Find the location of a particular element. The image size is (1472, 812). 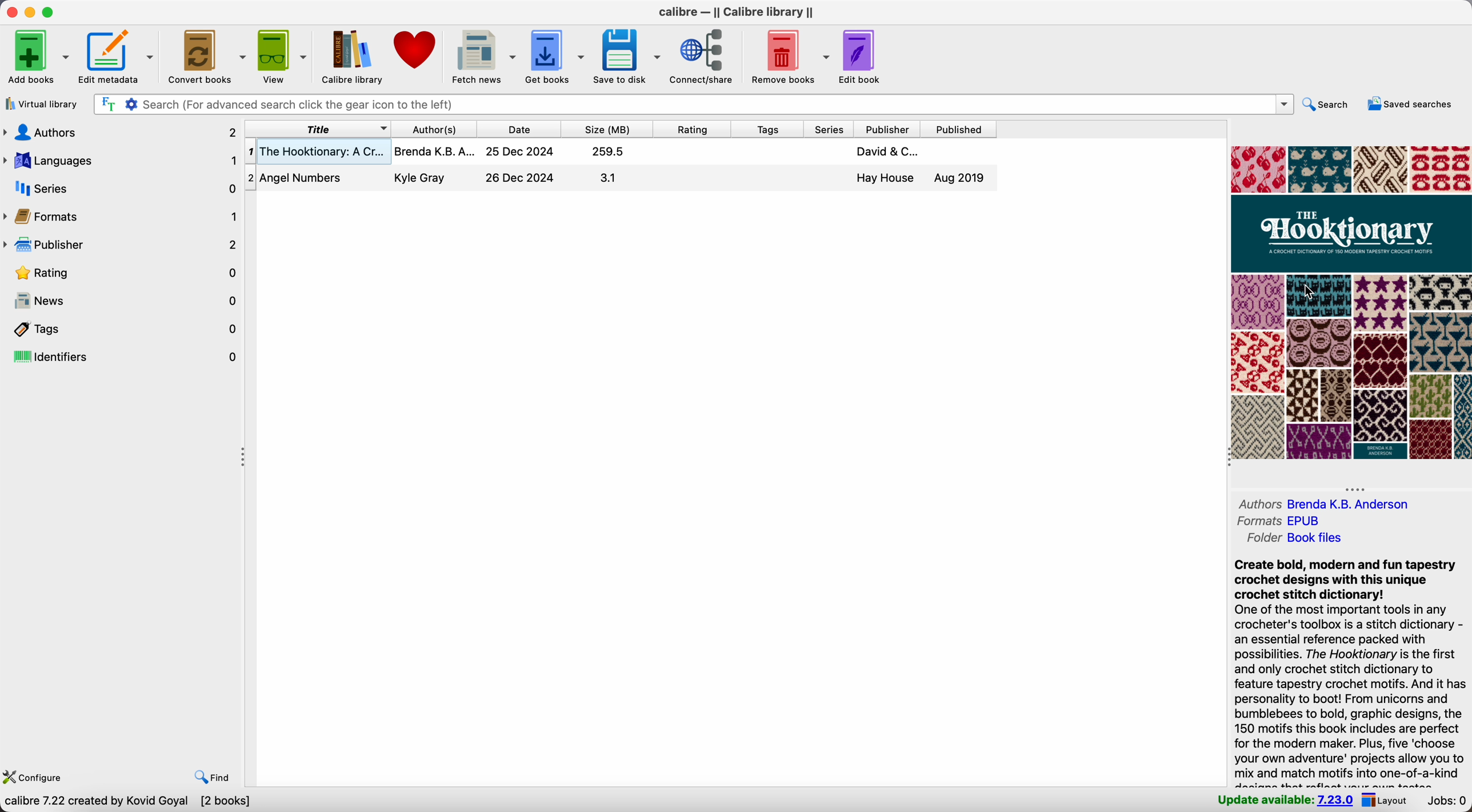

Calibre library is located at coordinates (351, 55).